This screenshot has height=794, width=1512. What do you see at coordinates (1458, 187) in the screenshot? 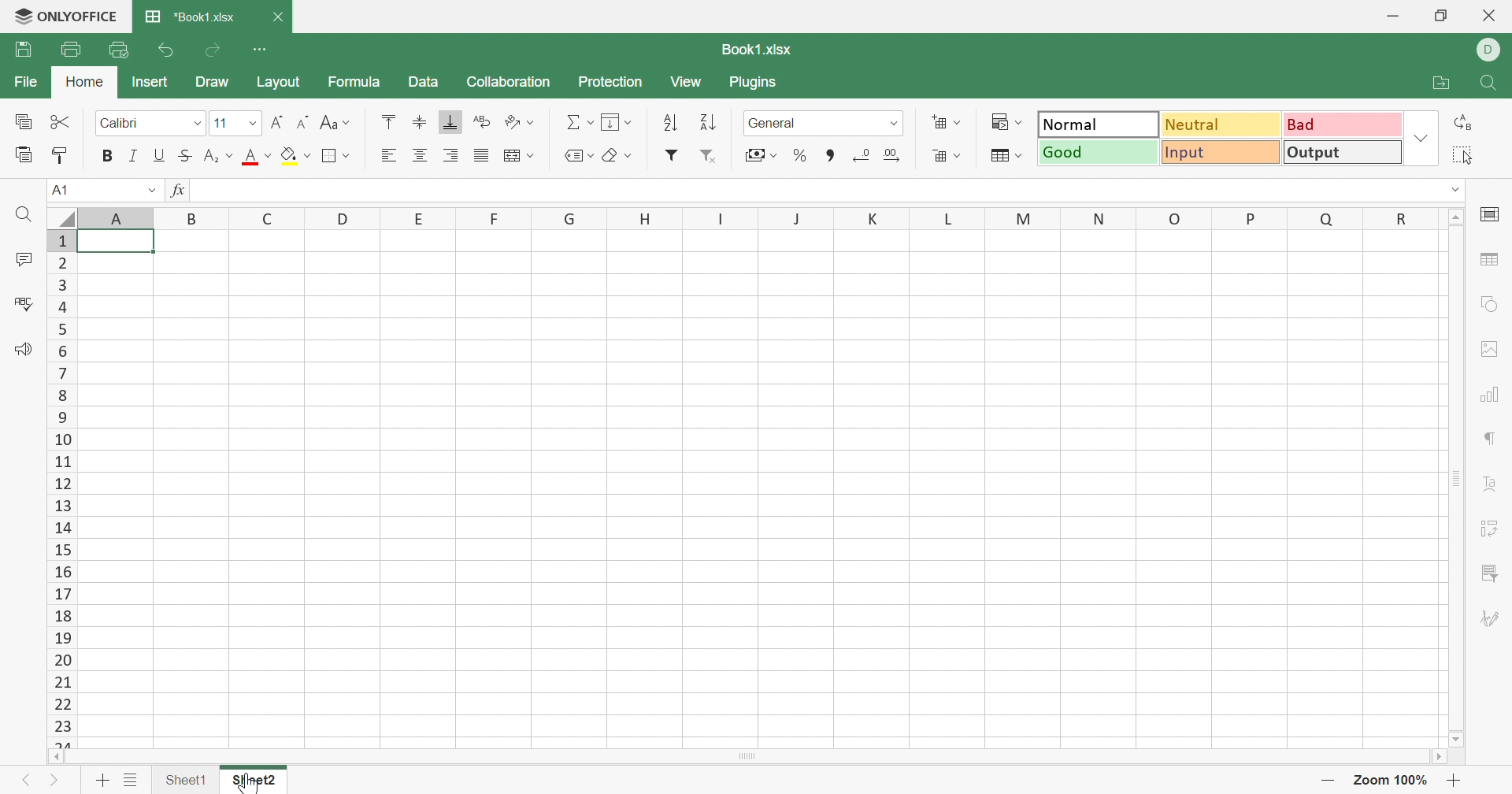
I see `Drop Down` at bounding box center [1458, 187].